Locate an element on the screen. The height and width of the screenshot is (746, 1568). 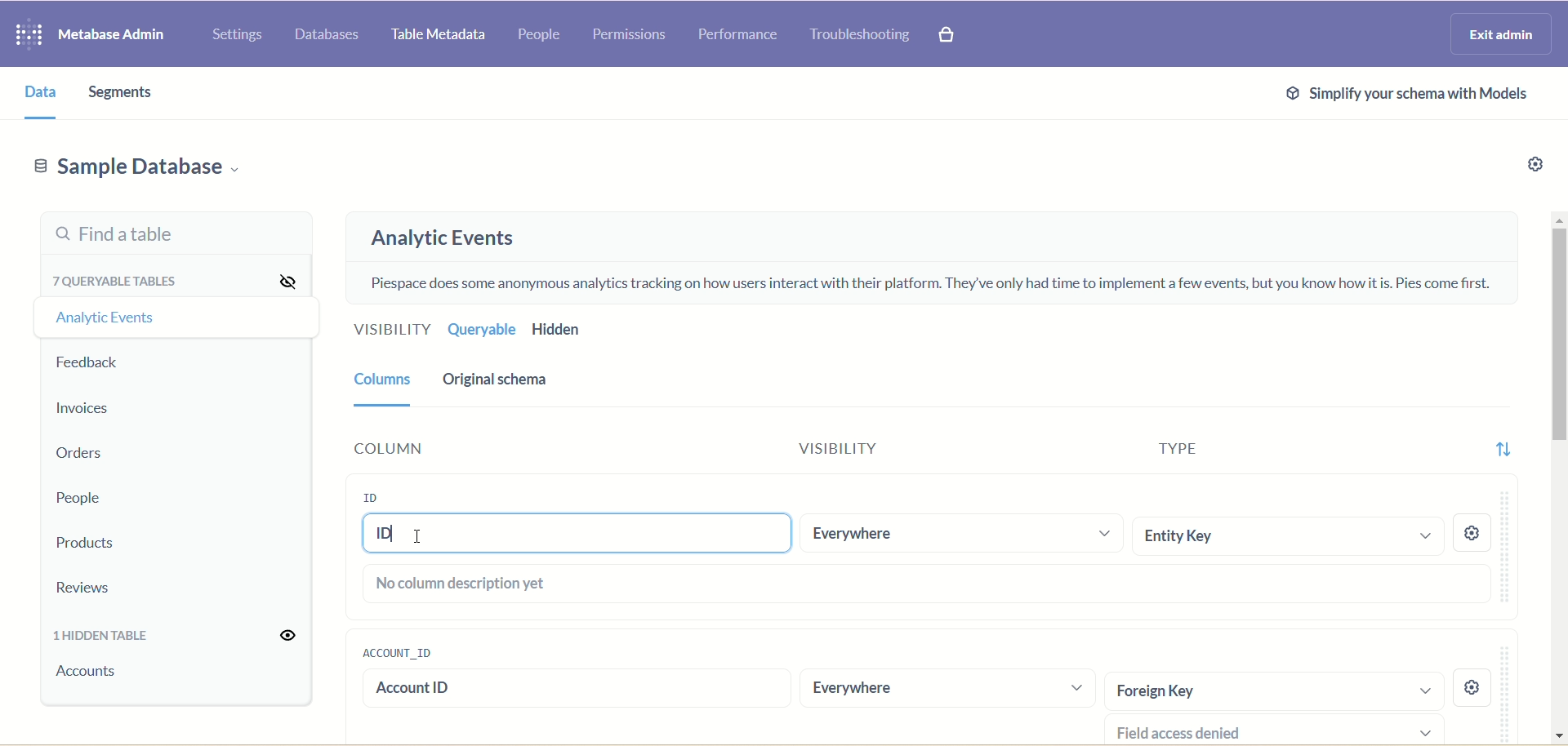
Troubleshooting is located at coordinates (863, 36).